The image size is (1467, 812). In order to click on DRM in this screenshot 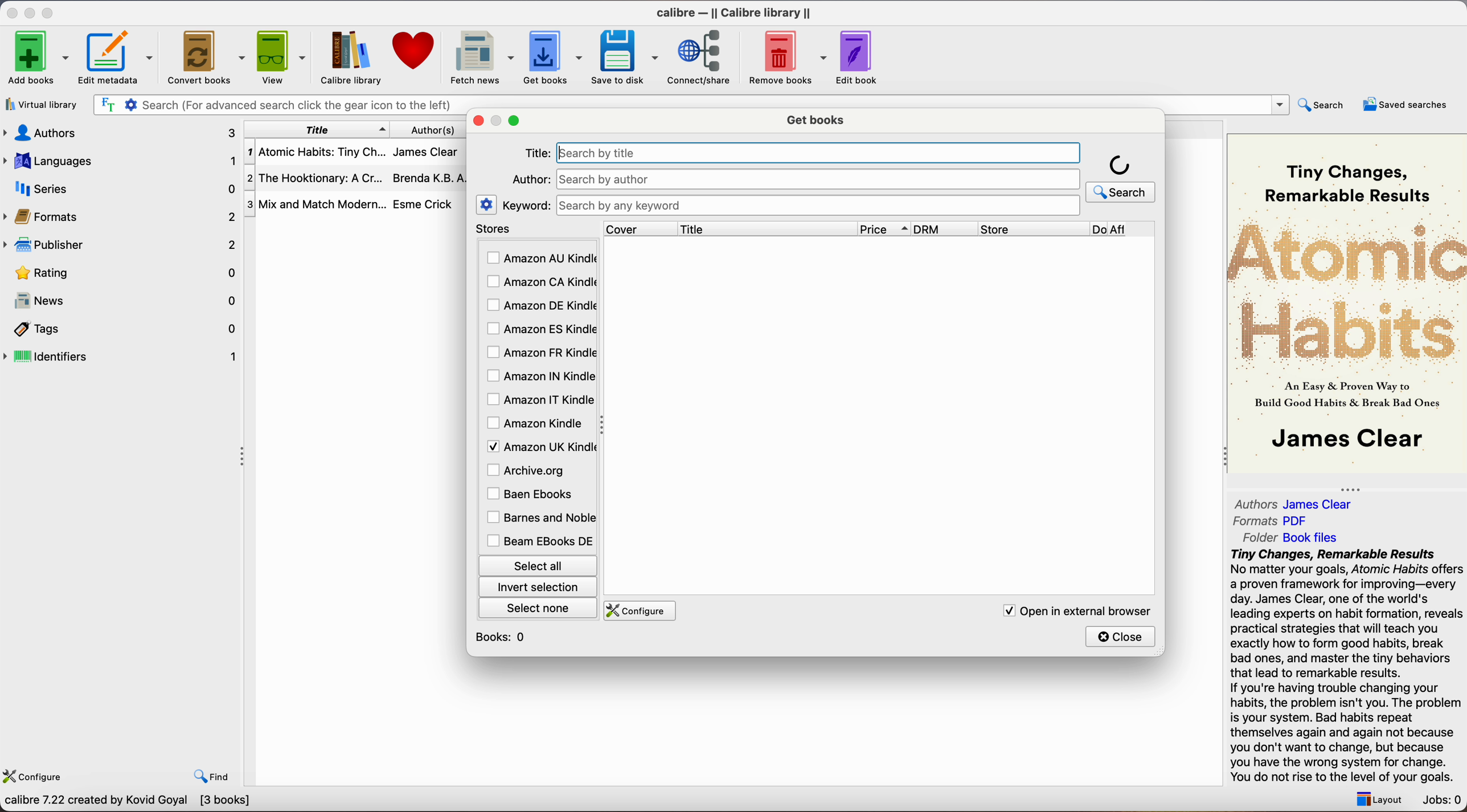, I will do `click(946, 229)`.